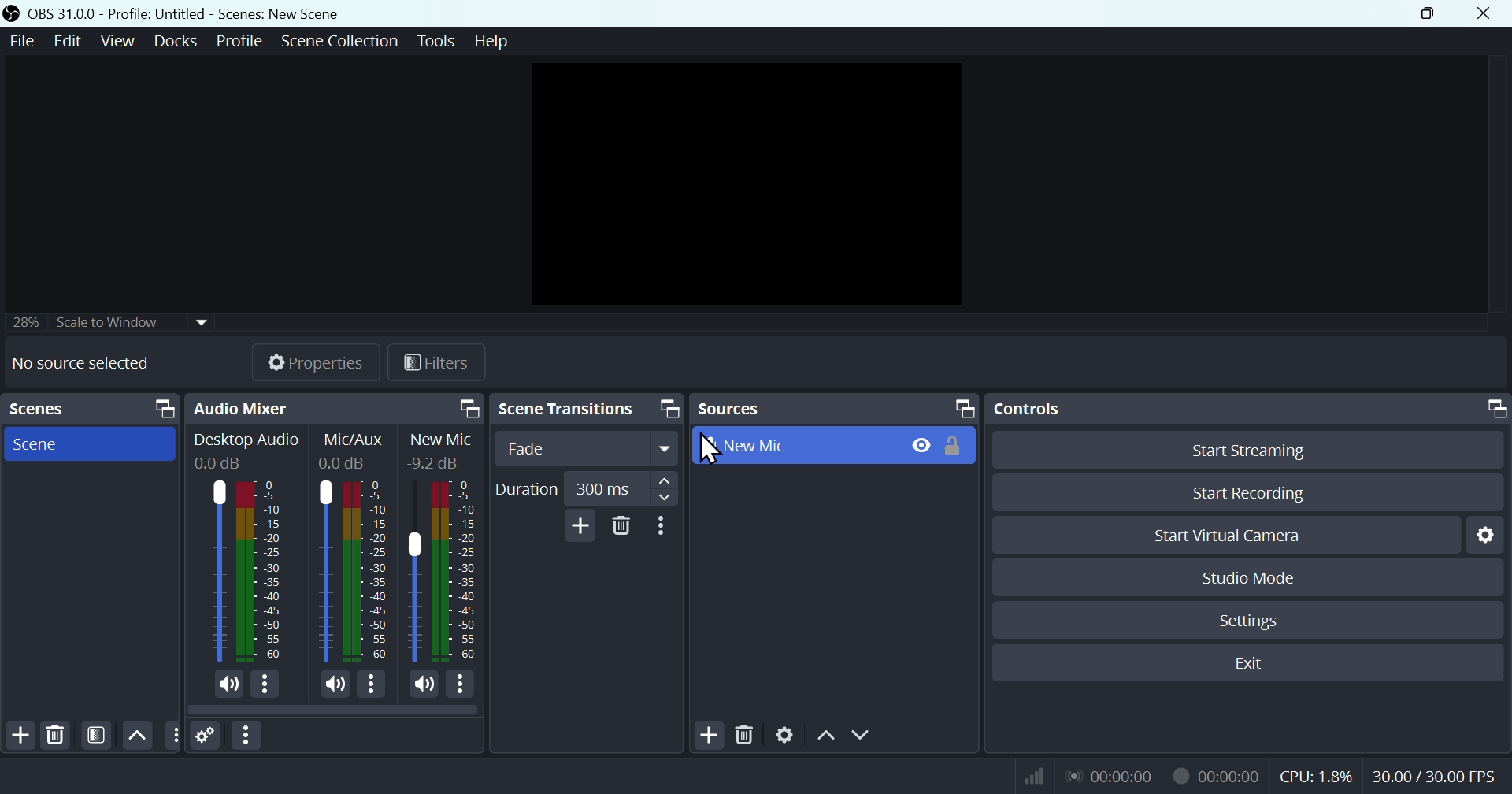 Image resolution: width=1512 pixels, height=794 pixels. I want to click on Start recording, so click(1256, 491).